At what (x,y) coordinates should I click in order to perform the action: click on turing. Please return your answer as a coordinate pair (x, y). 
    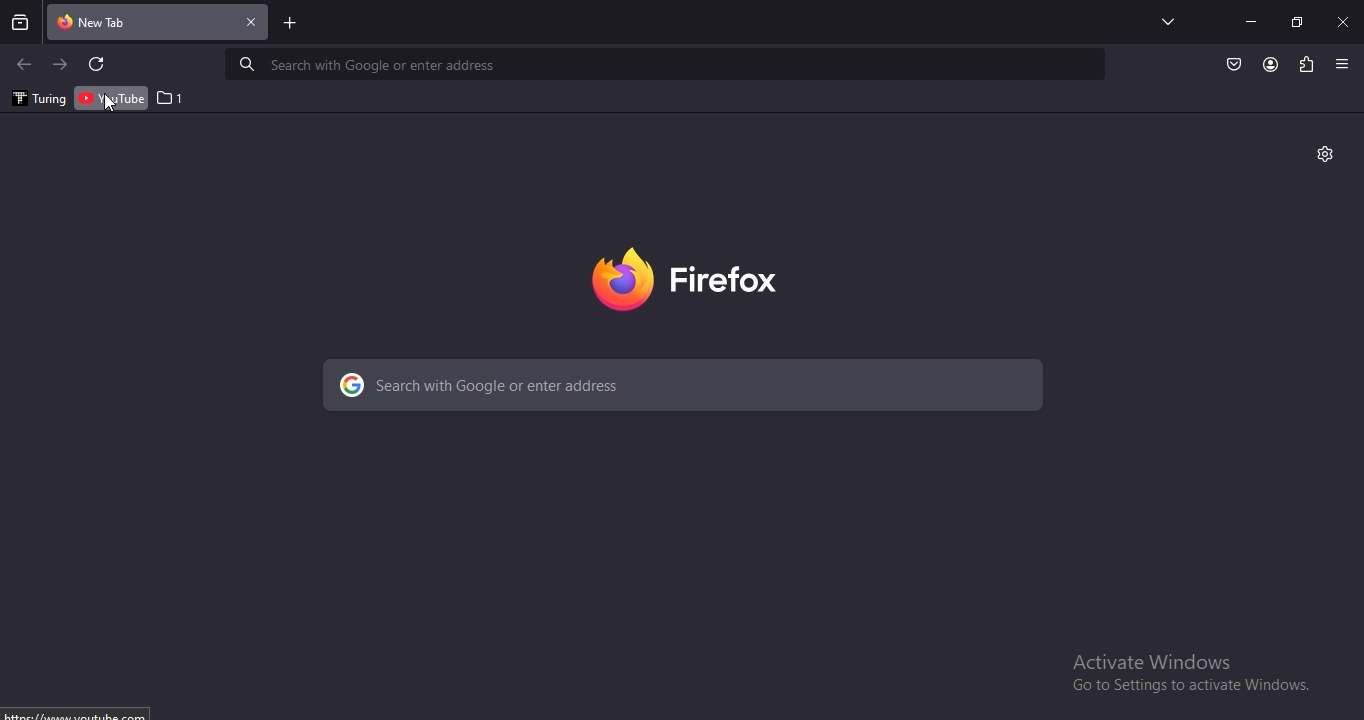
    Looking at the image, I should click on (37, 99).